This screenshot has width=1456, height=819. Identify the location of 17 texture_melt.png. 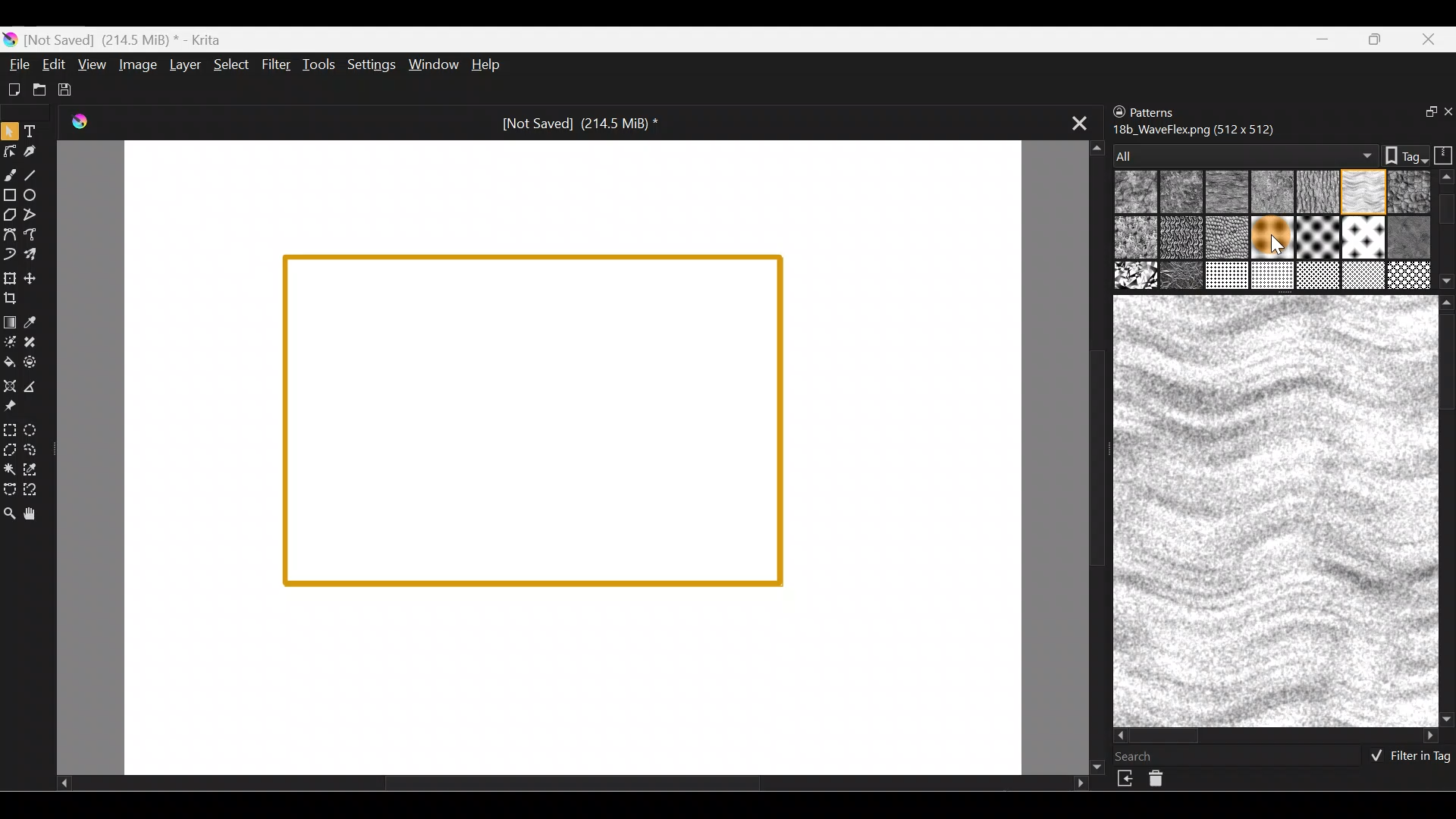
(1274, 275).